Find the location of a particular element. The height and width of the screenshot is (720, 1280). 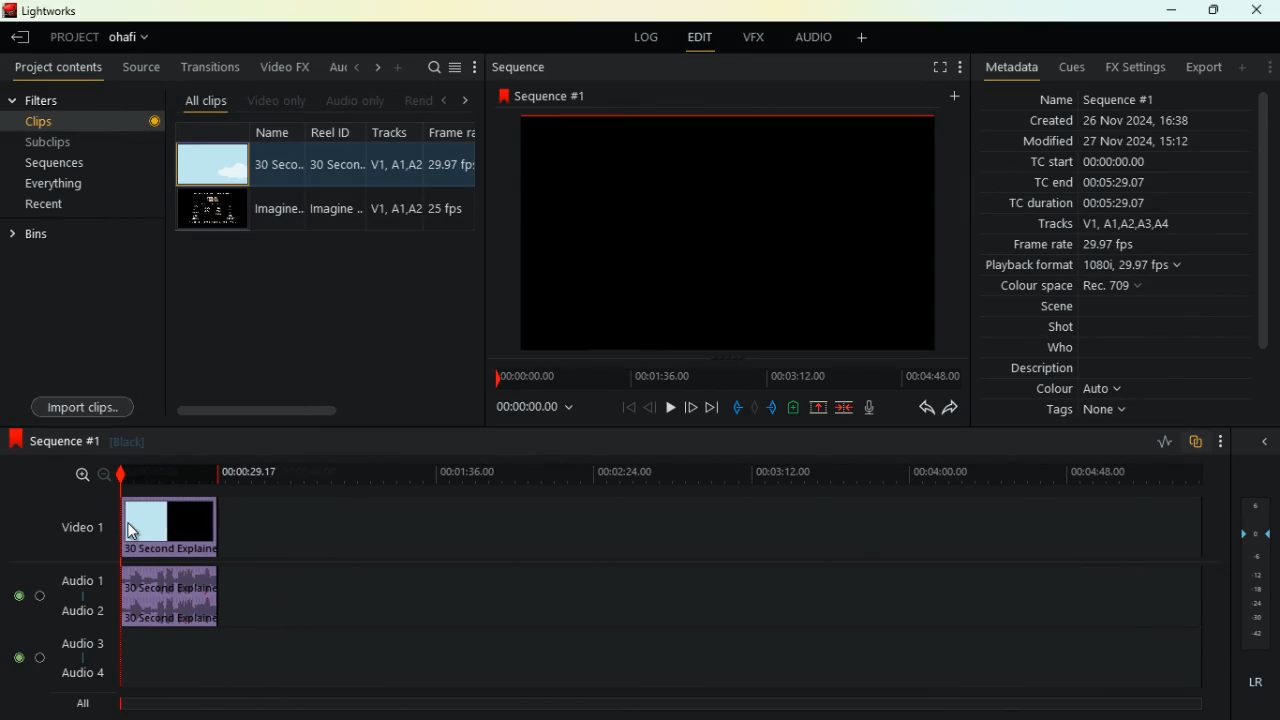

menu is located at coordinates (456, 67).